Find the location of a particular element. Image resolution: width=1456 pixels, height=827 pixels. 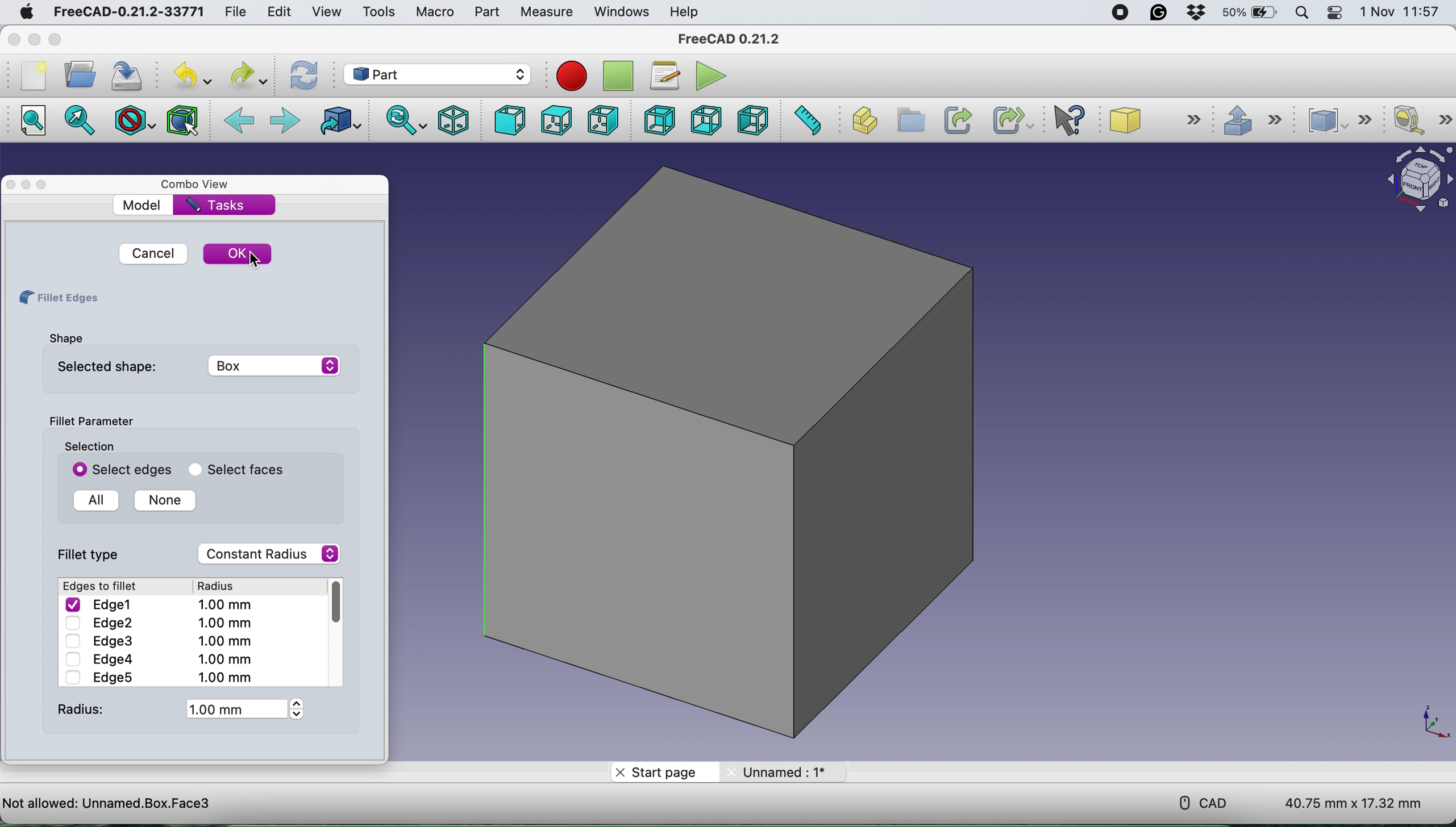

make link is located at coordinates (956, 119).